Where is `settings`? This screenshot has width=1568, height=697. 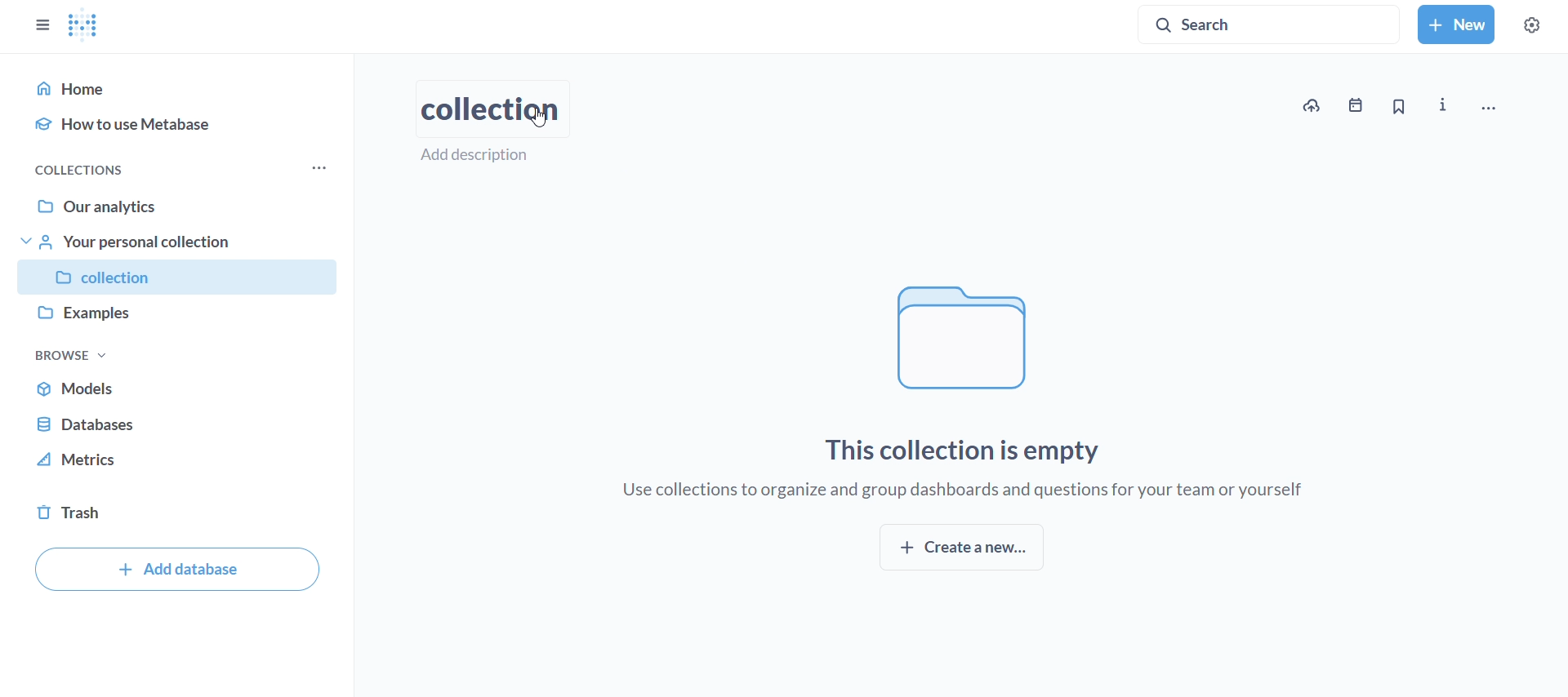 settings is located at coordinates (1540, 21).